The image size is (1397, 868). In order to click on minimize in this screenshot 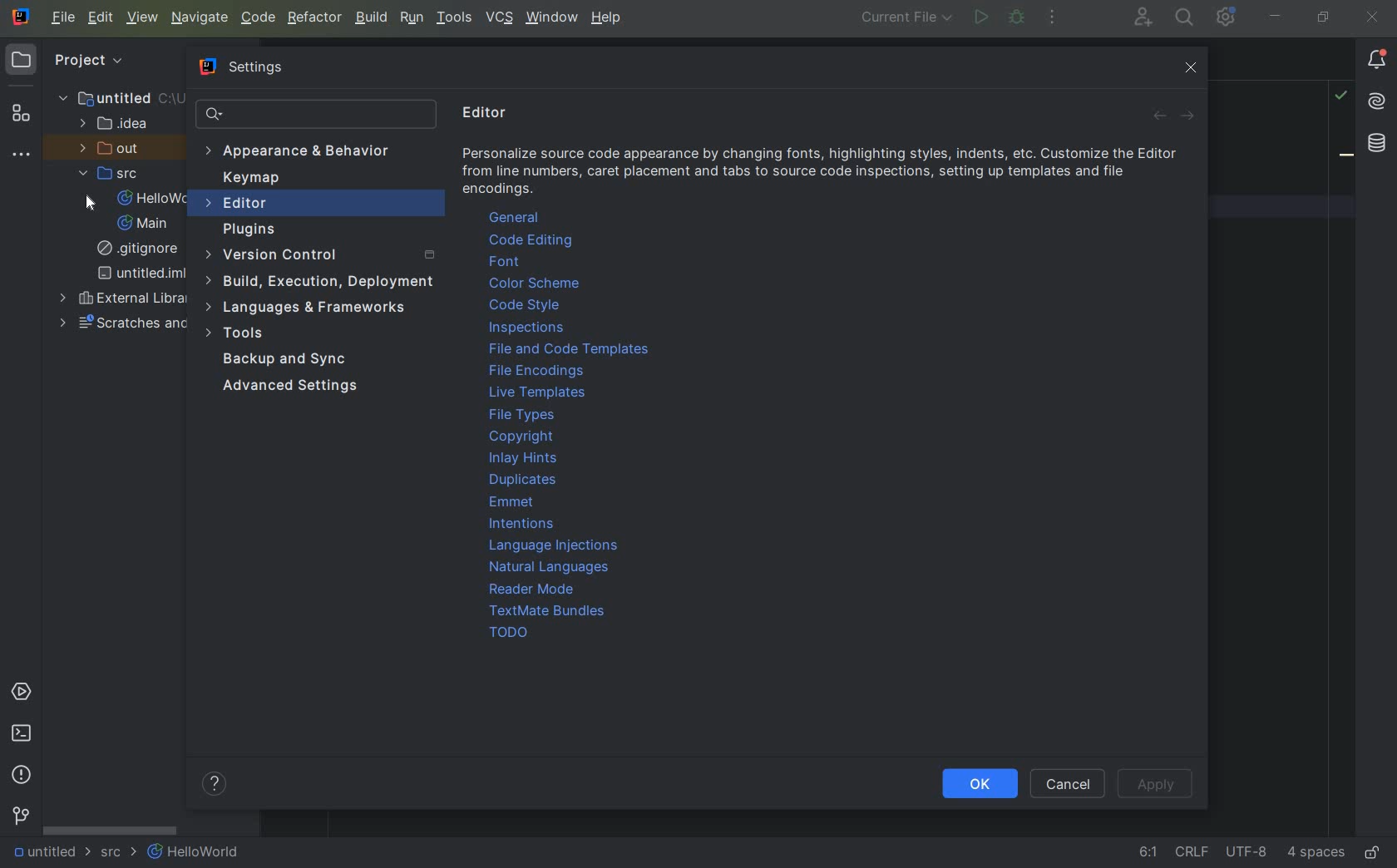, I will do `click(1276, 16)`.